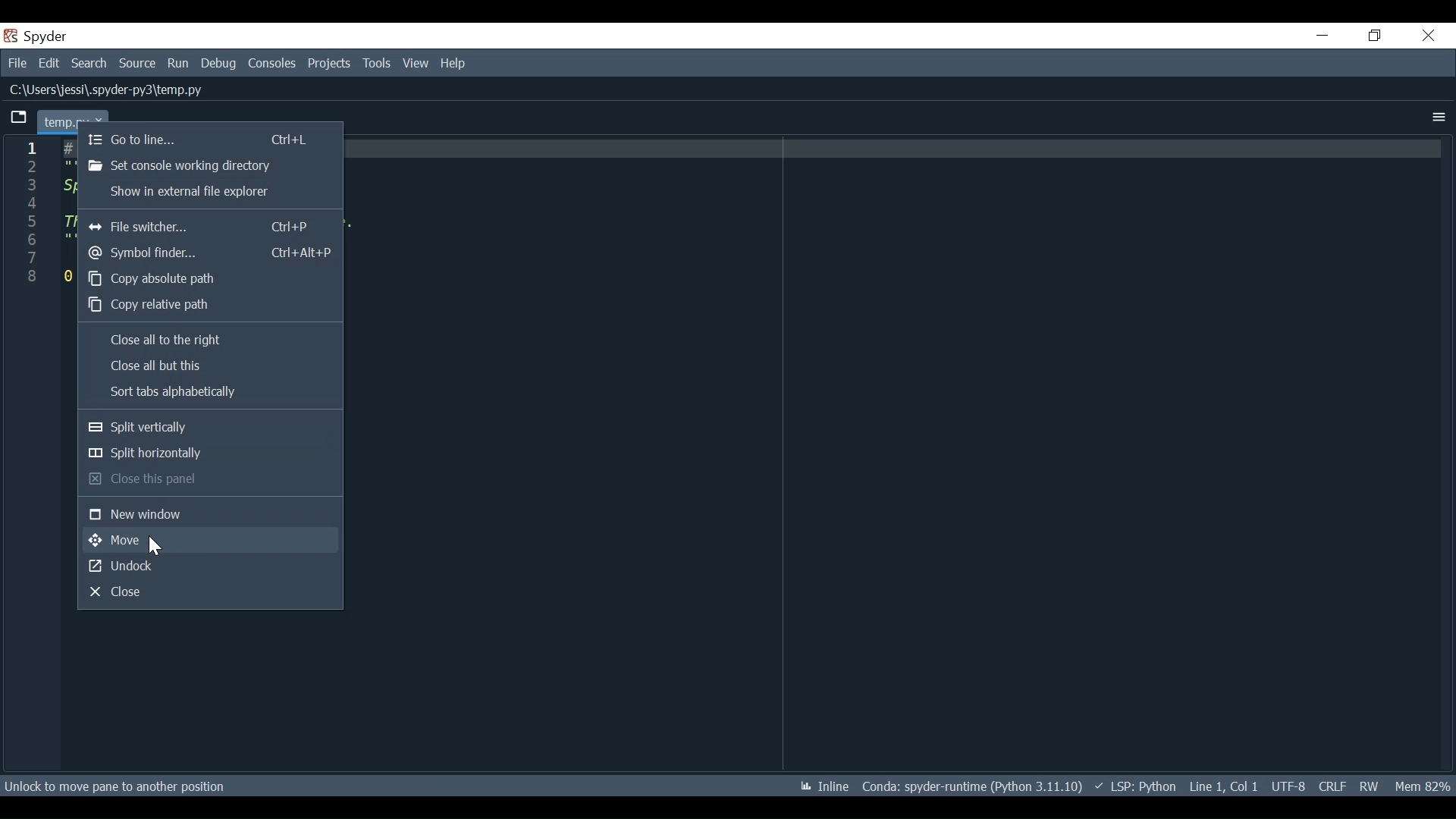 Image resolution: width=1456 pixels, height=819 pixels. What do you see at coordinates (178, 63) in the screenshot?
I see `Run` at bounding box center [178, 63].